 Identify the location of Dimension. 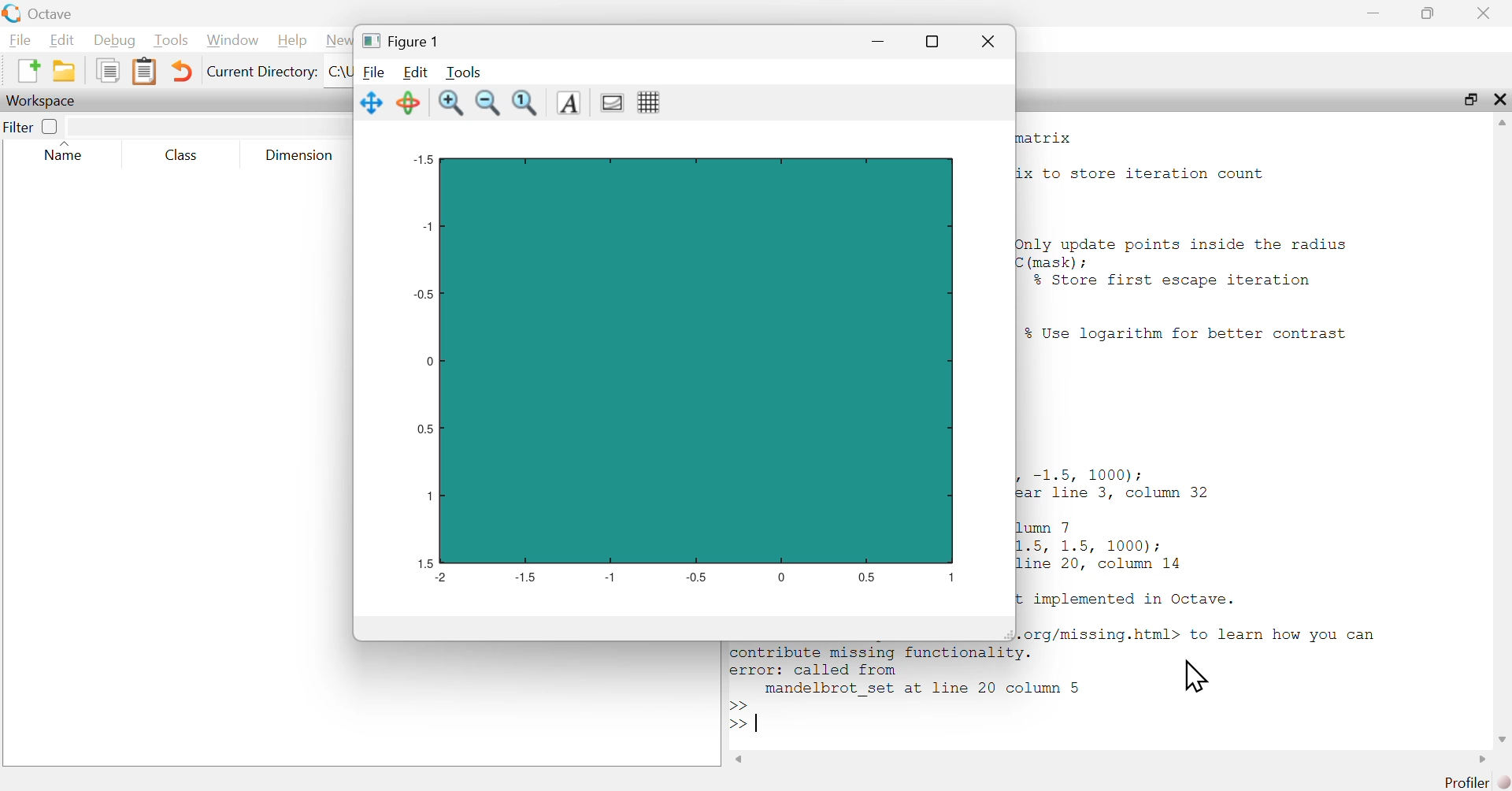
(299, 155).